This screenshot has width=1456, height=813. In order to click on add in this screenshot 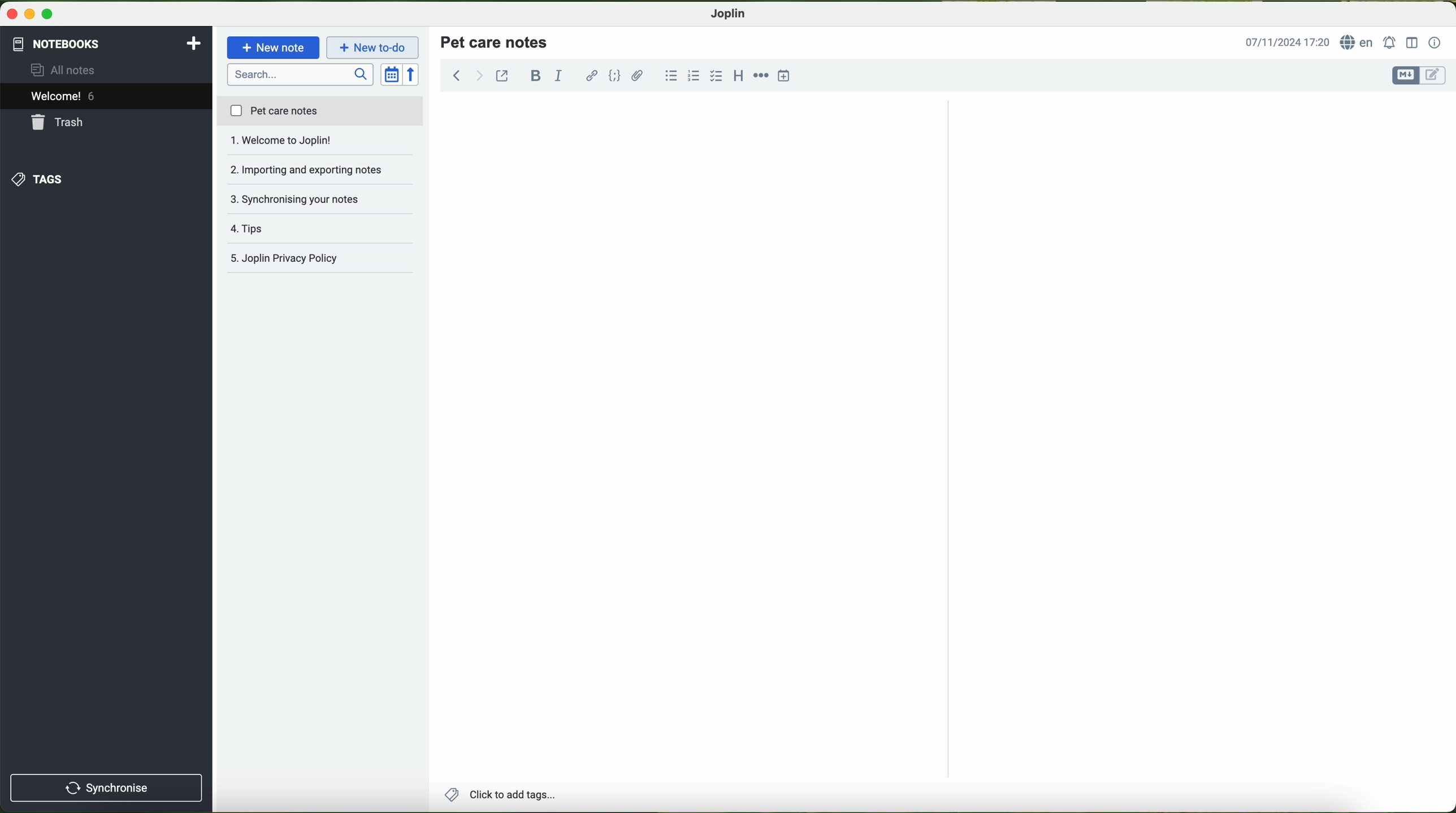, I will do `click(194, 42)`.